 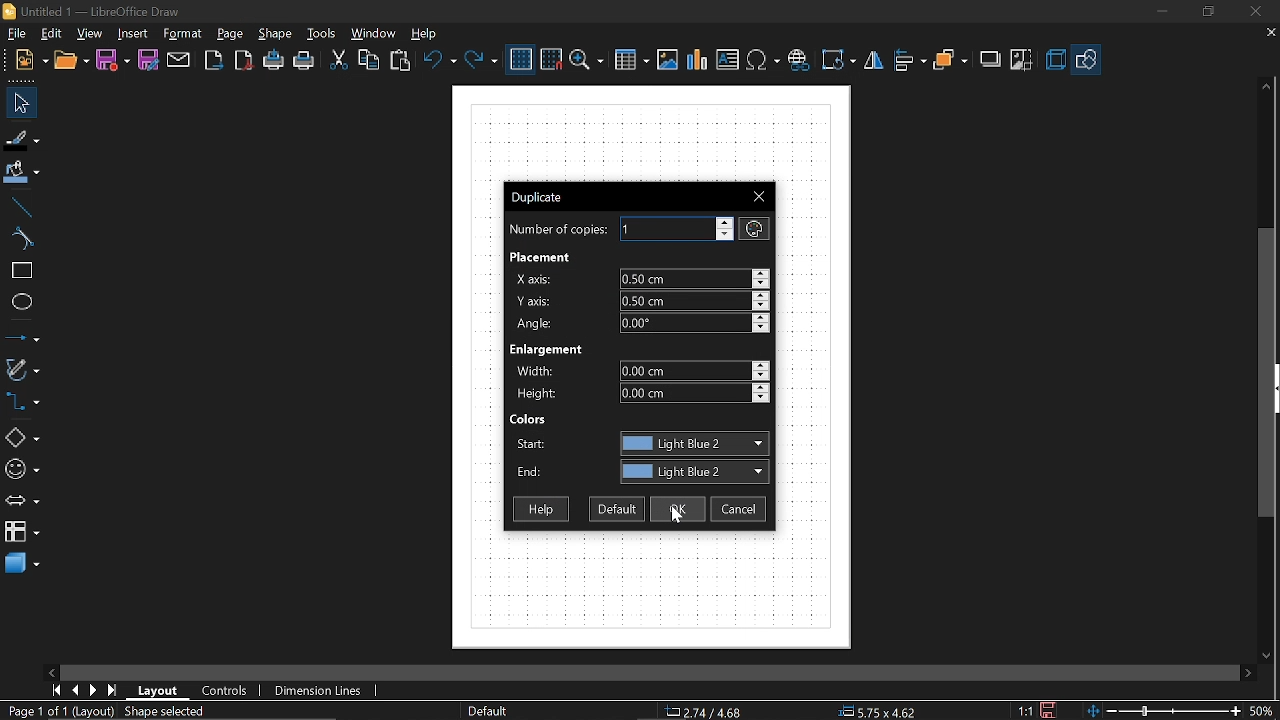 I want to click on Position, so click(x=874, y=711).